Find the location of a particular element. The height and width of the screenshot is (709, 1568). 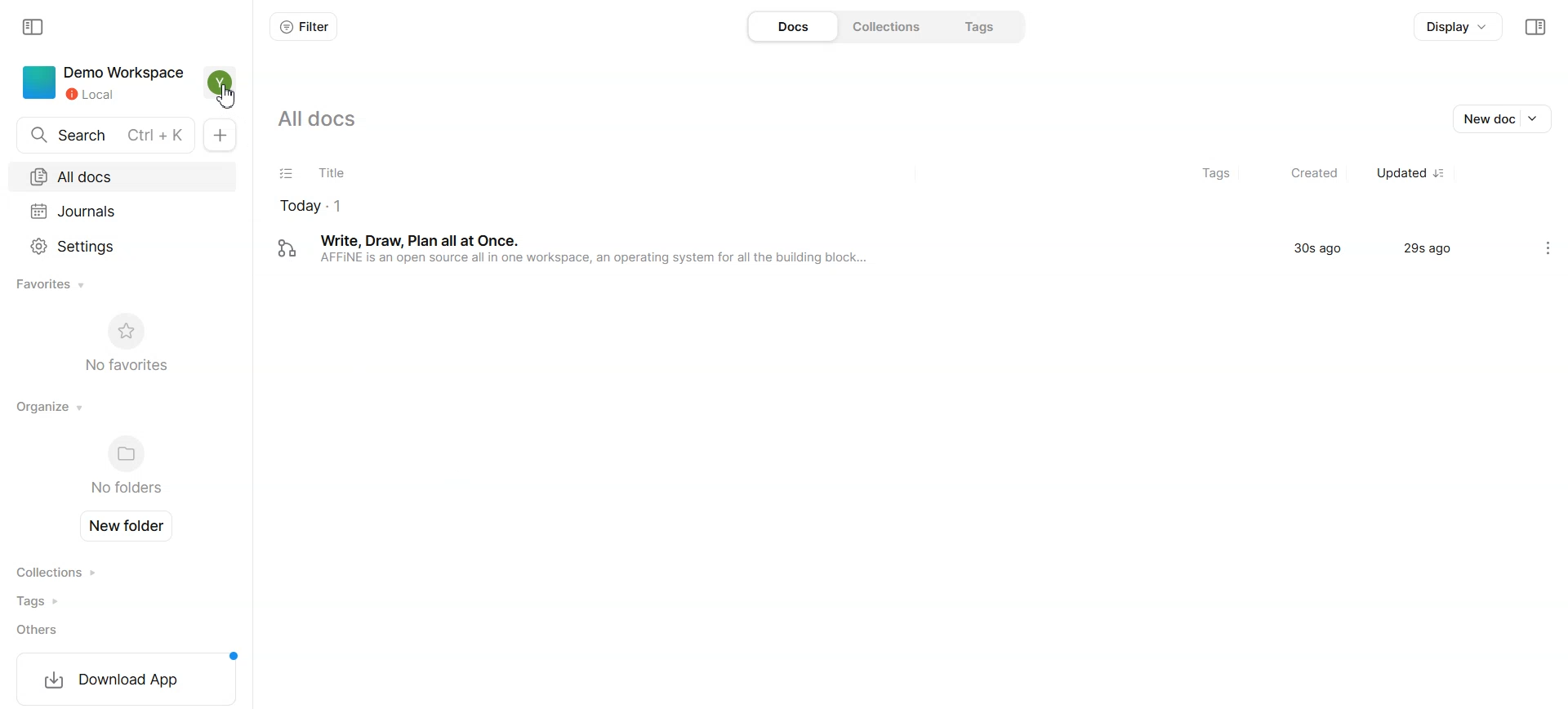

Tags is located at coordinates (63, 601).